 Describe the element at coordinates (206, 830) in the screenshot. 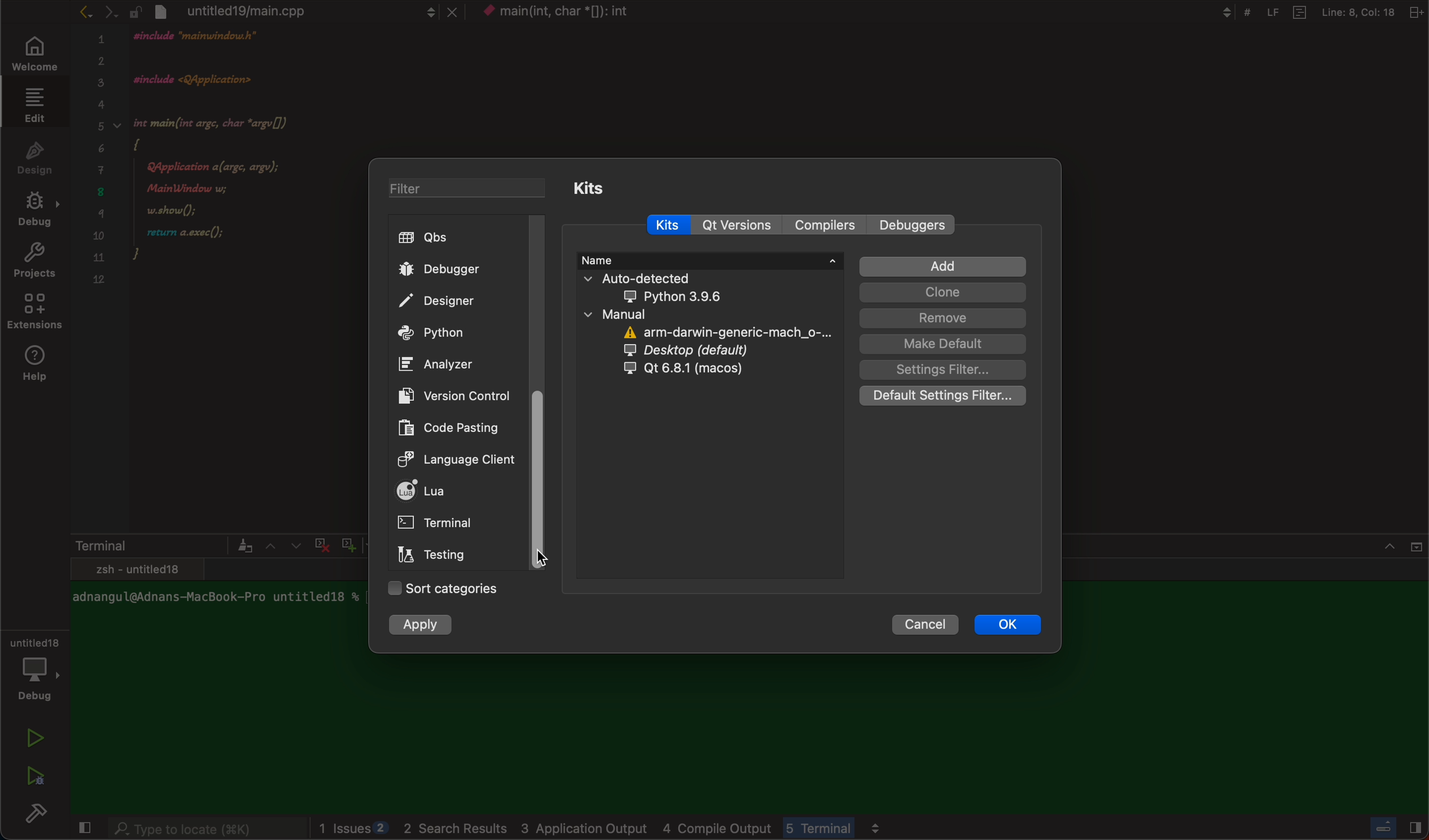

I see `search` at that location.